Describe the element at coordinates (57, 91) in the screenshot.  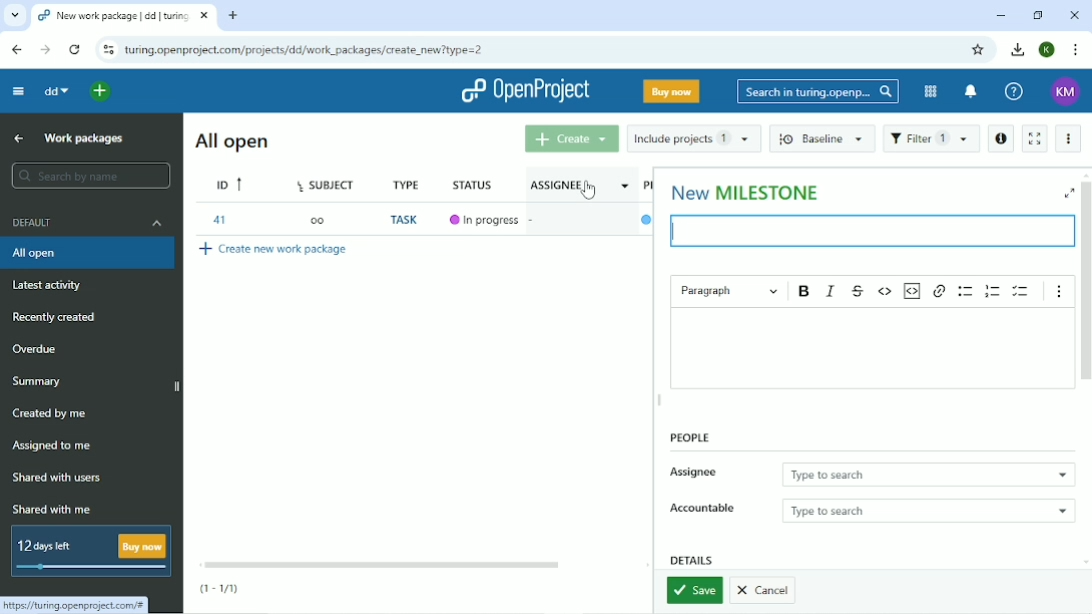
I see `dd` at that location.